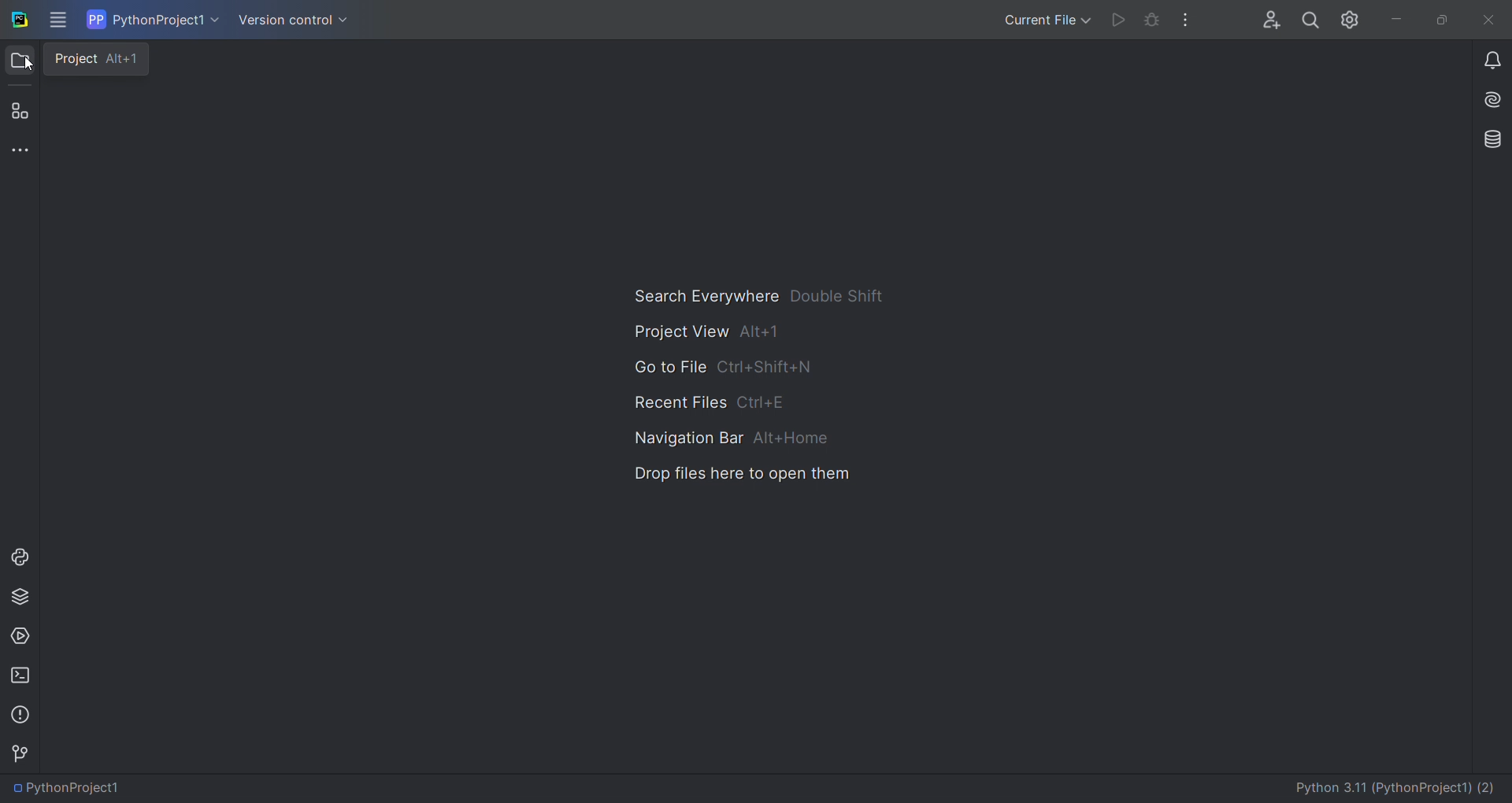 Image resolution: width=1512 pixels, height=803 pixels. Describe the element at coordinates (1493, 18) in the screenshot. I see `close` at that location.